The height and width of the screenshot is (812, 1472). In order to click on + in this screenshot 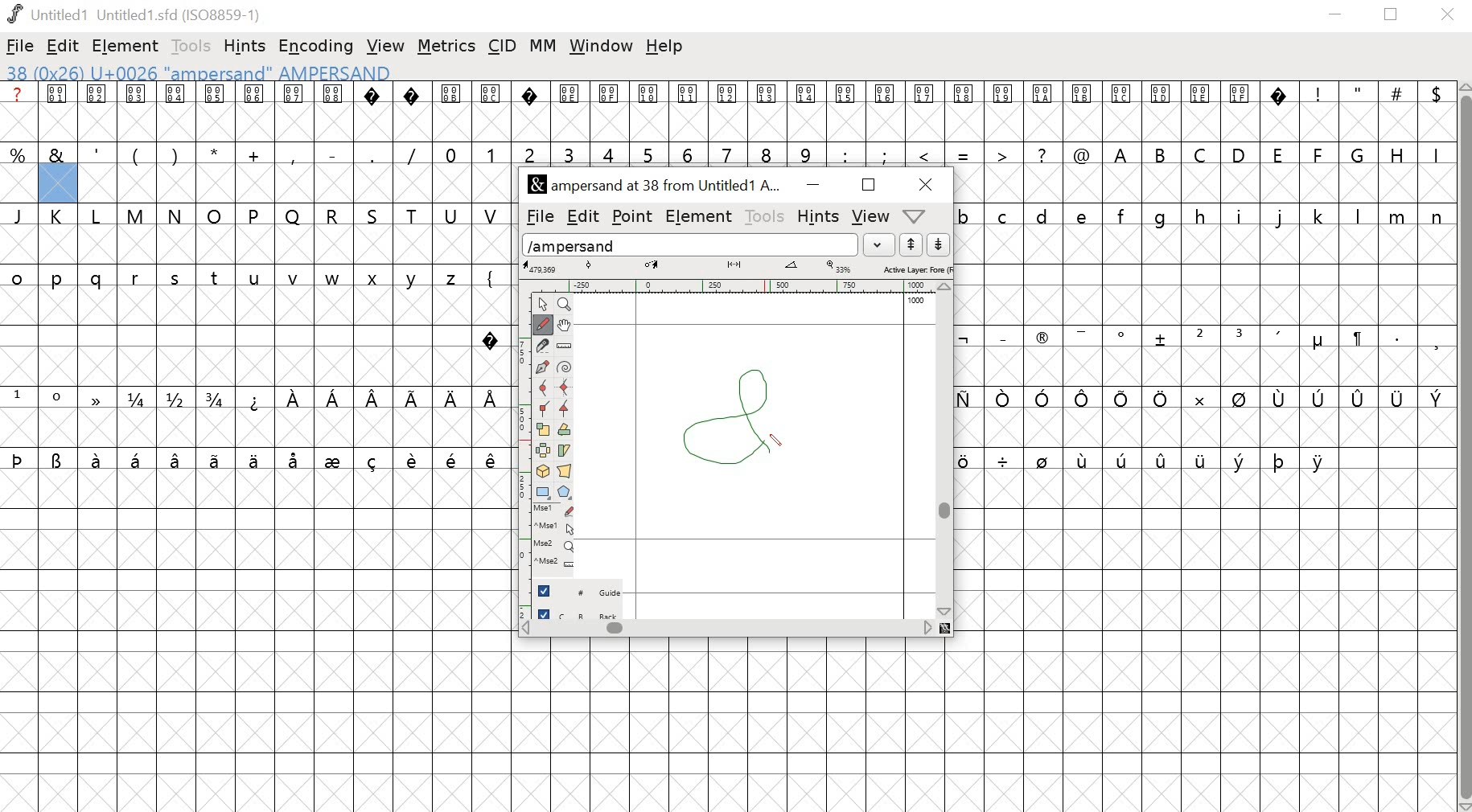, I will do `click(256, 154)`.